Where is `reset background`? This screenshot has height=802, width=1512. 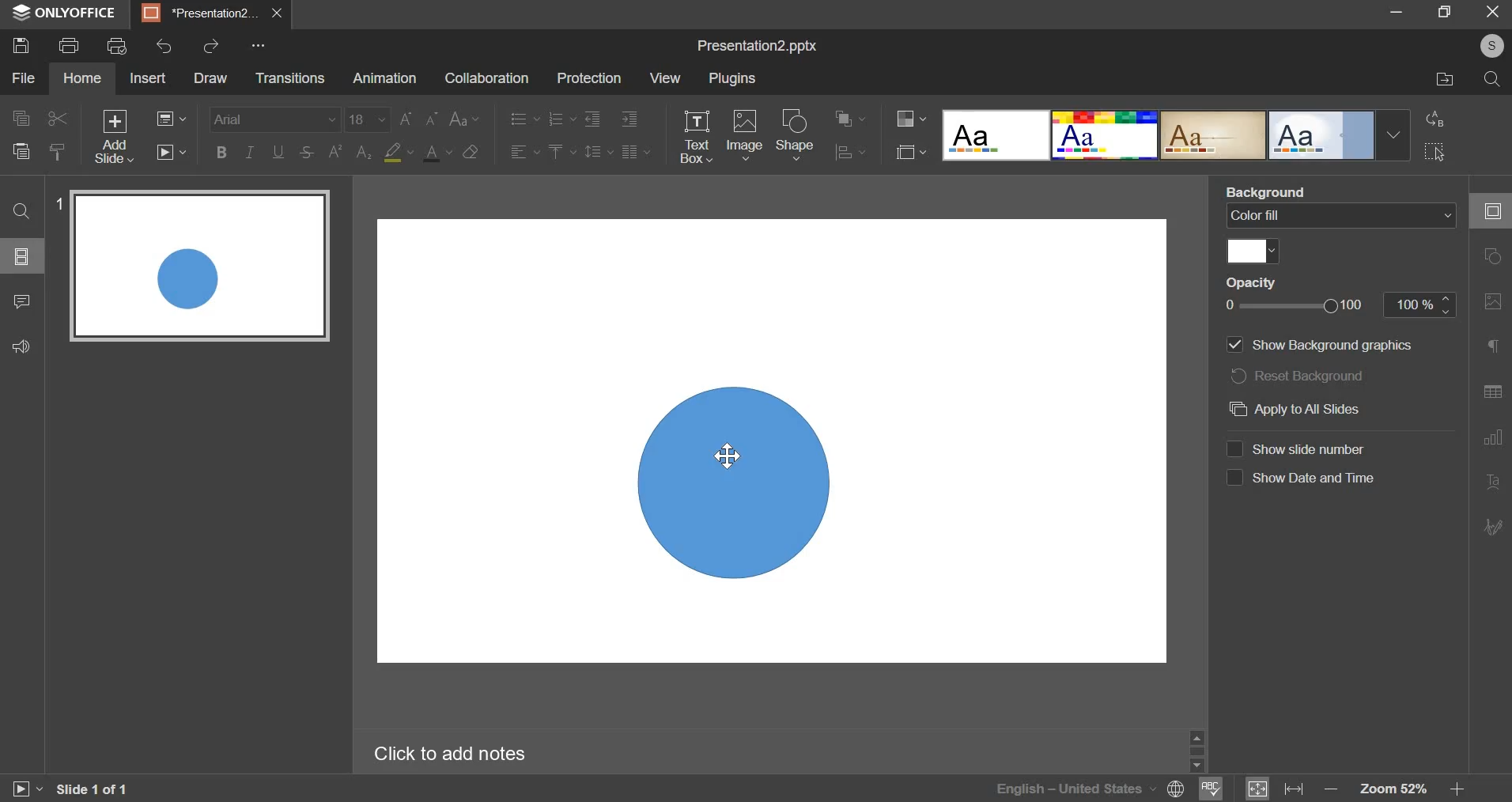
reset background is located at coordinates (1294, 375).